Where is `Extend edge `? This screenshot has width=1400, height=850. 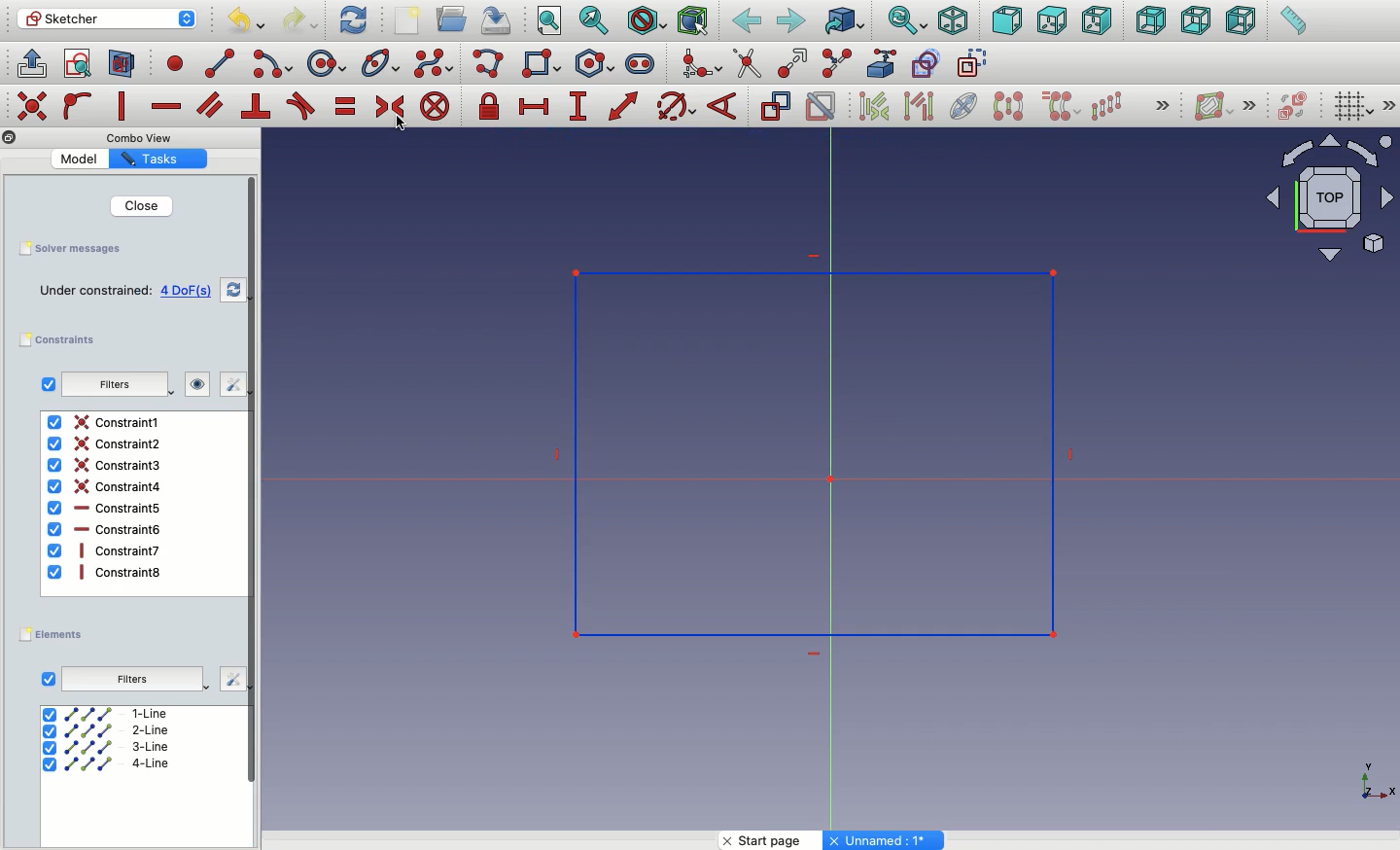 Extend edge  is located at coordinates (795, 64).